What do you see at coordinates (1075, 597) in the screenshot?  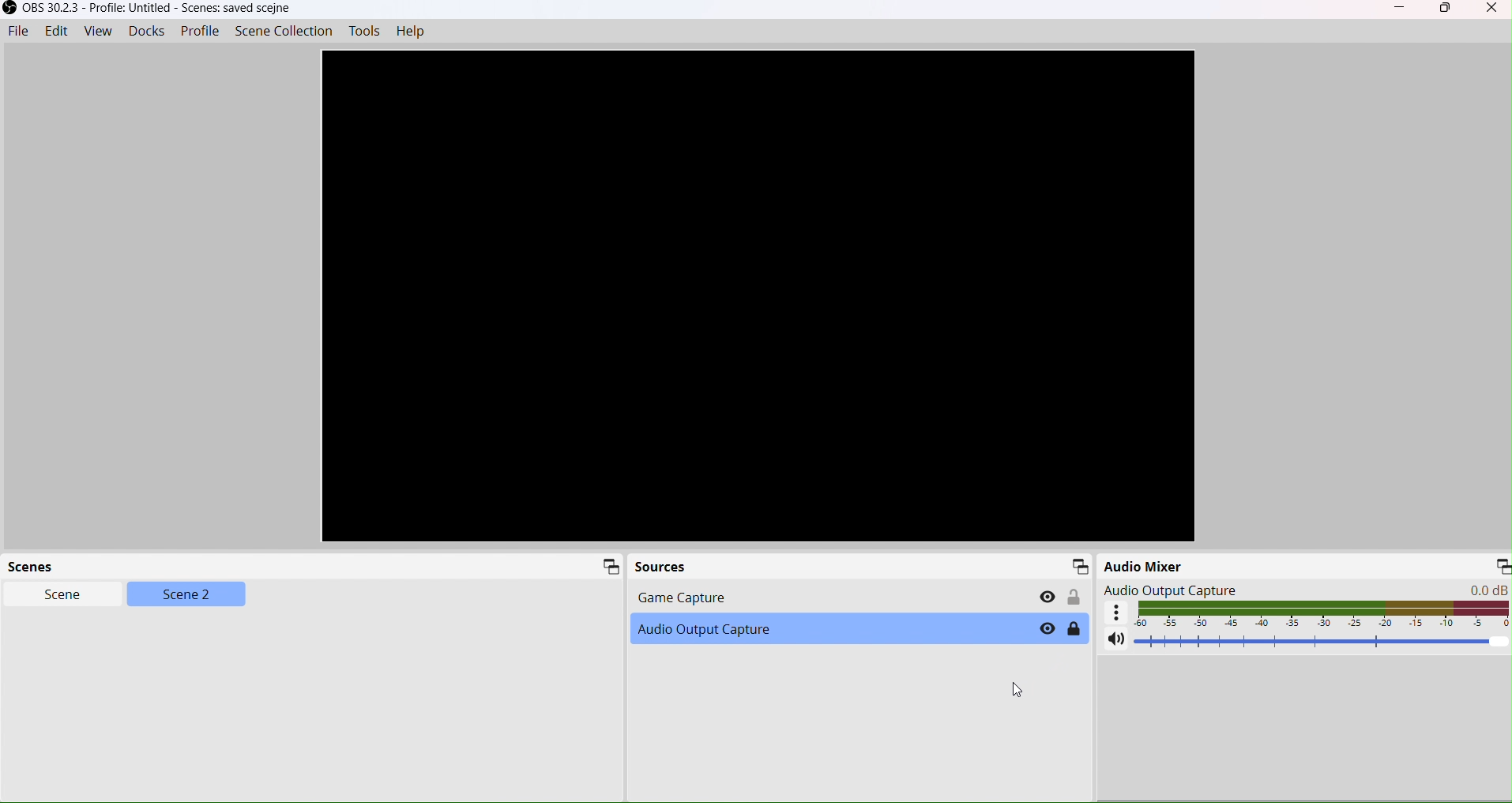 I see `Lock` at bounding box center [1075, 597].